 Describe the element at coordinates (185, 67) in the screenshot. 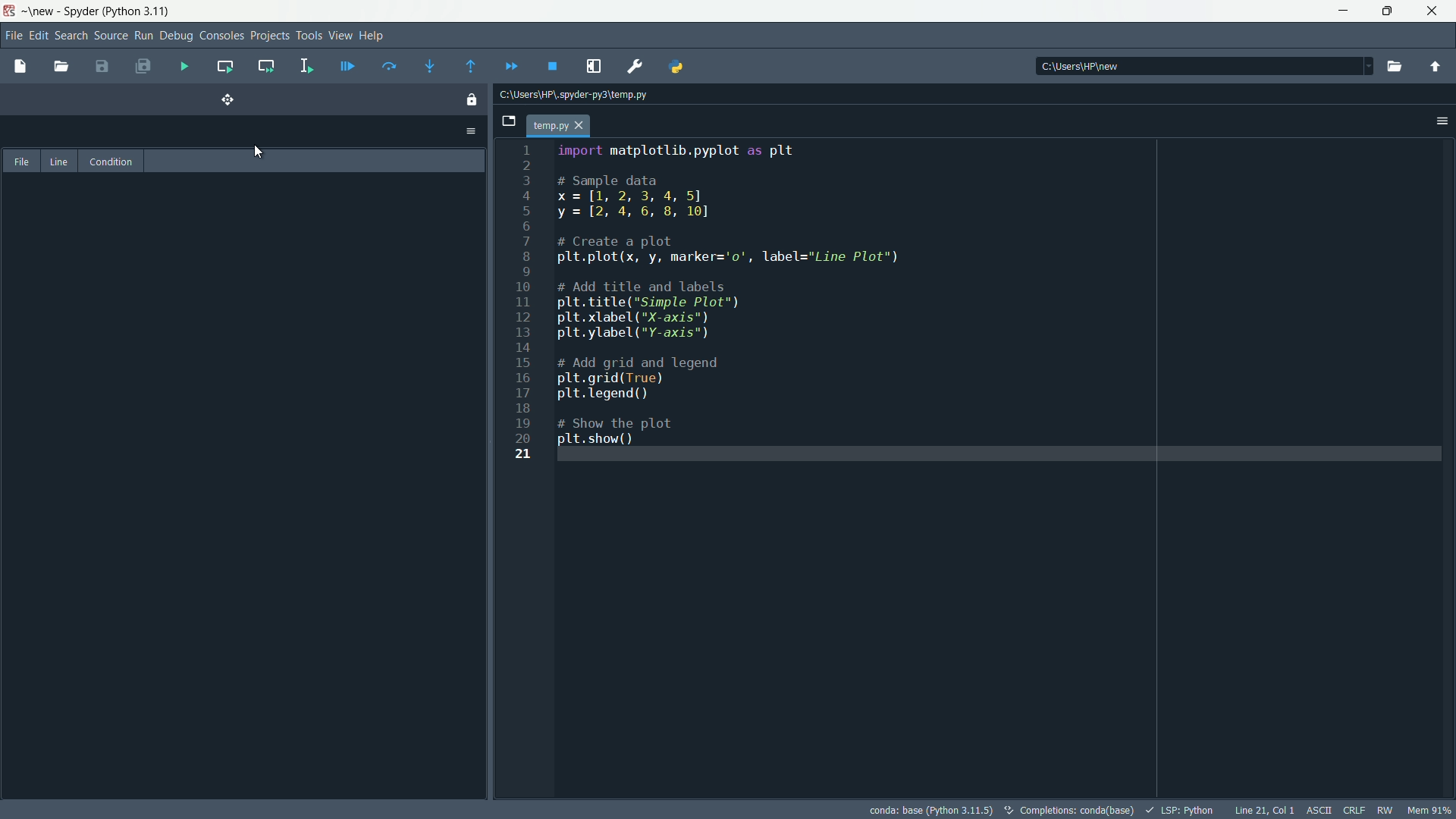

I see `run file` at that location.